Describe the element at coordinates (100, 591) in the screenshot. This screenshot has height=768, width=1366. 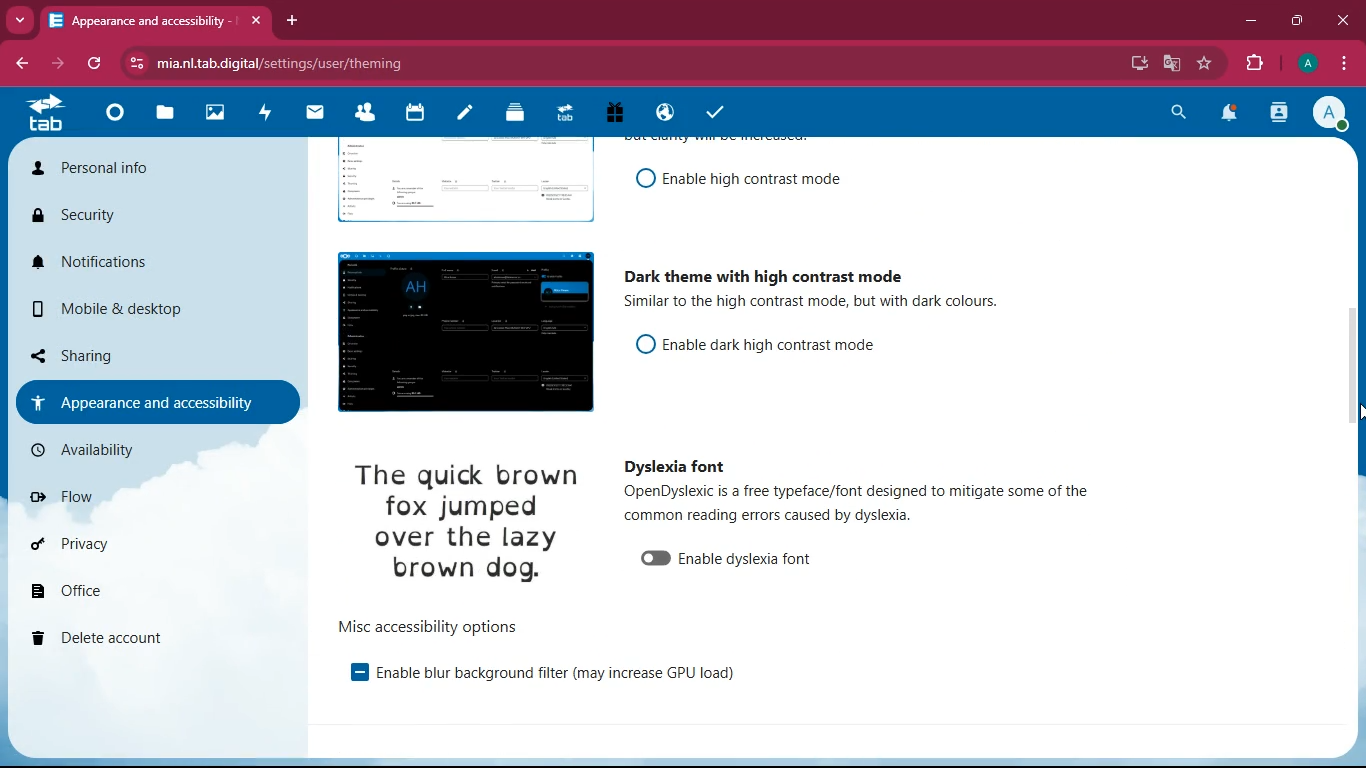
I see `office` at that location.